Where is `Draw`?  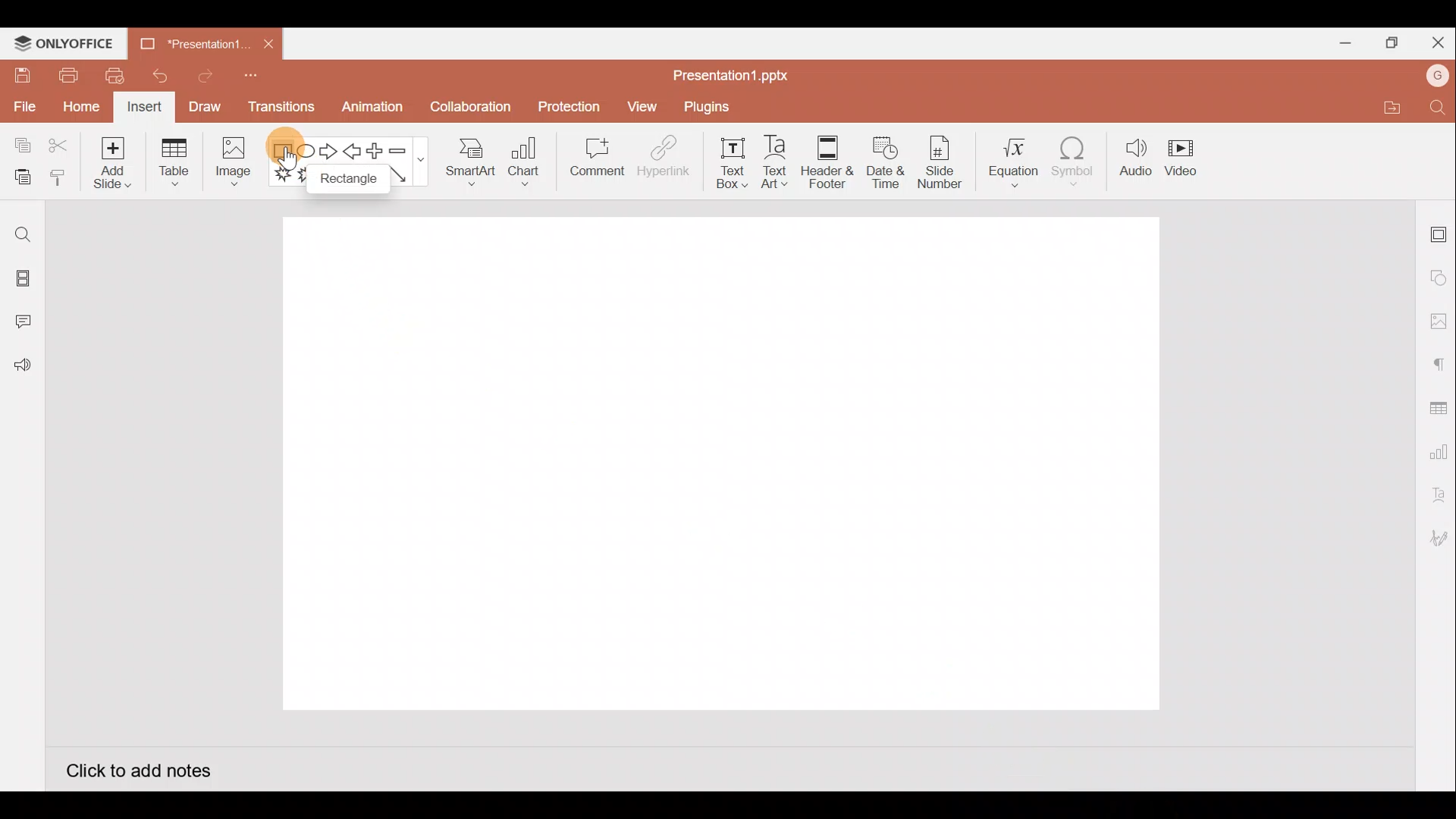 Draw is located at coordinates (204, 106).